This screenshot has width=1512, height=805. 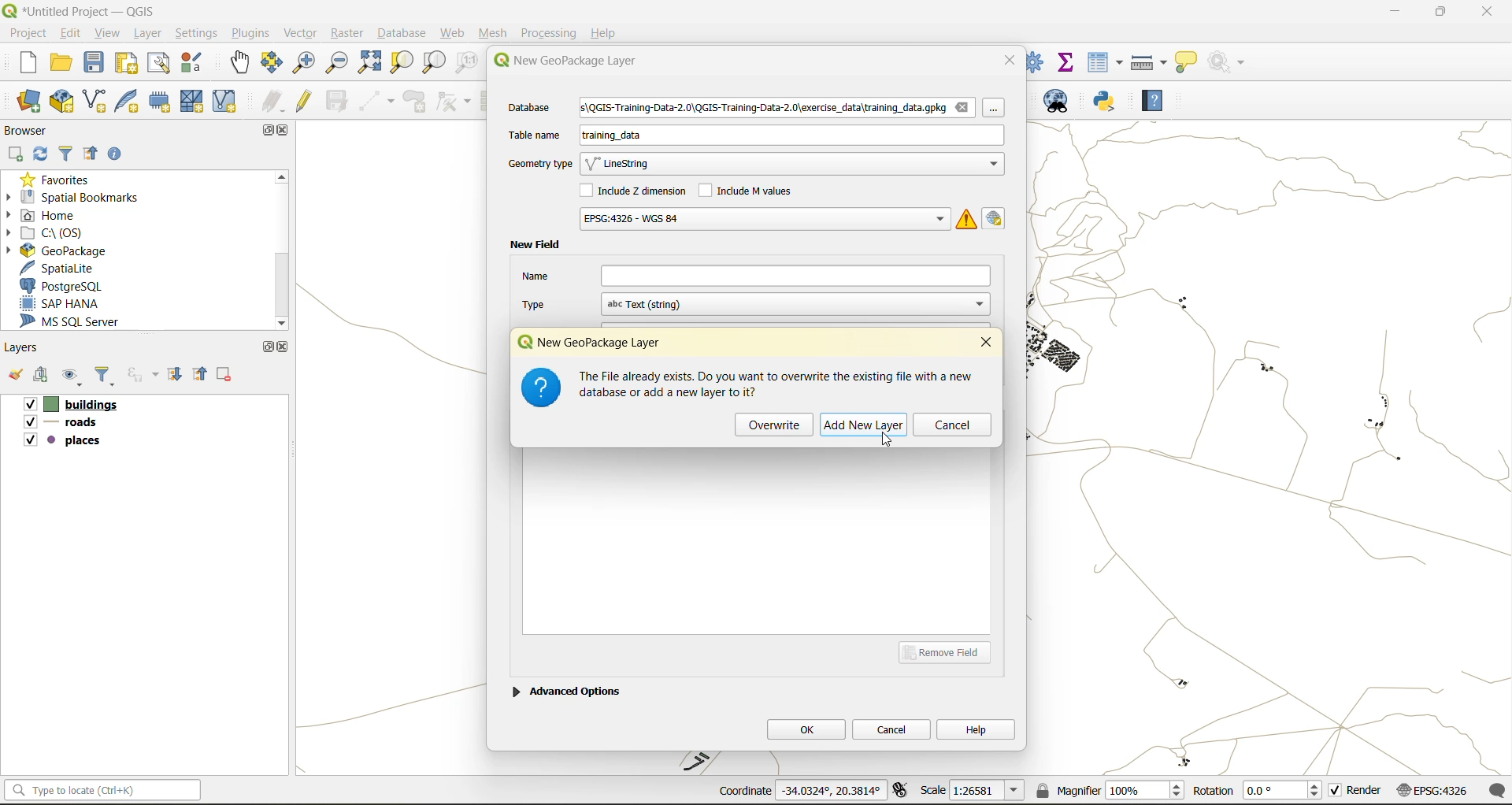 I want to click on no action, so click(x=1228, y=59).